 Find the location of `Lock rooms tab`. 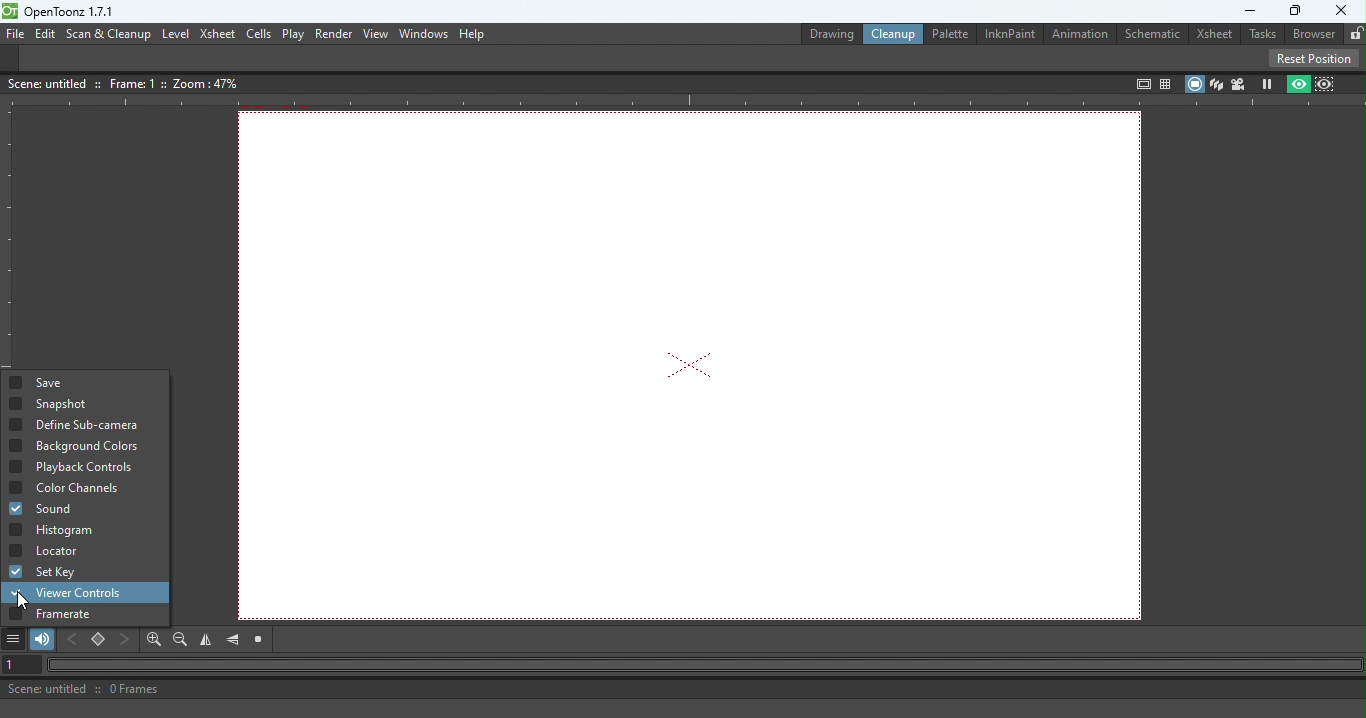

Lock rooms tab is located at coordinates (1352, 32).